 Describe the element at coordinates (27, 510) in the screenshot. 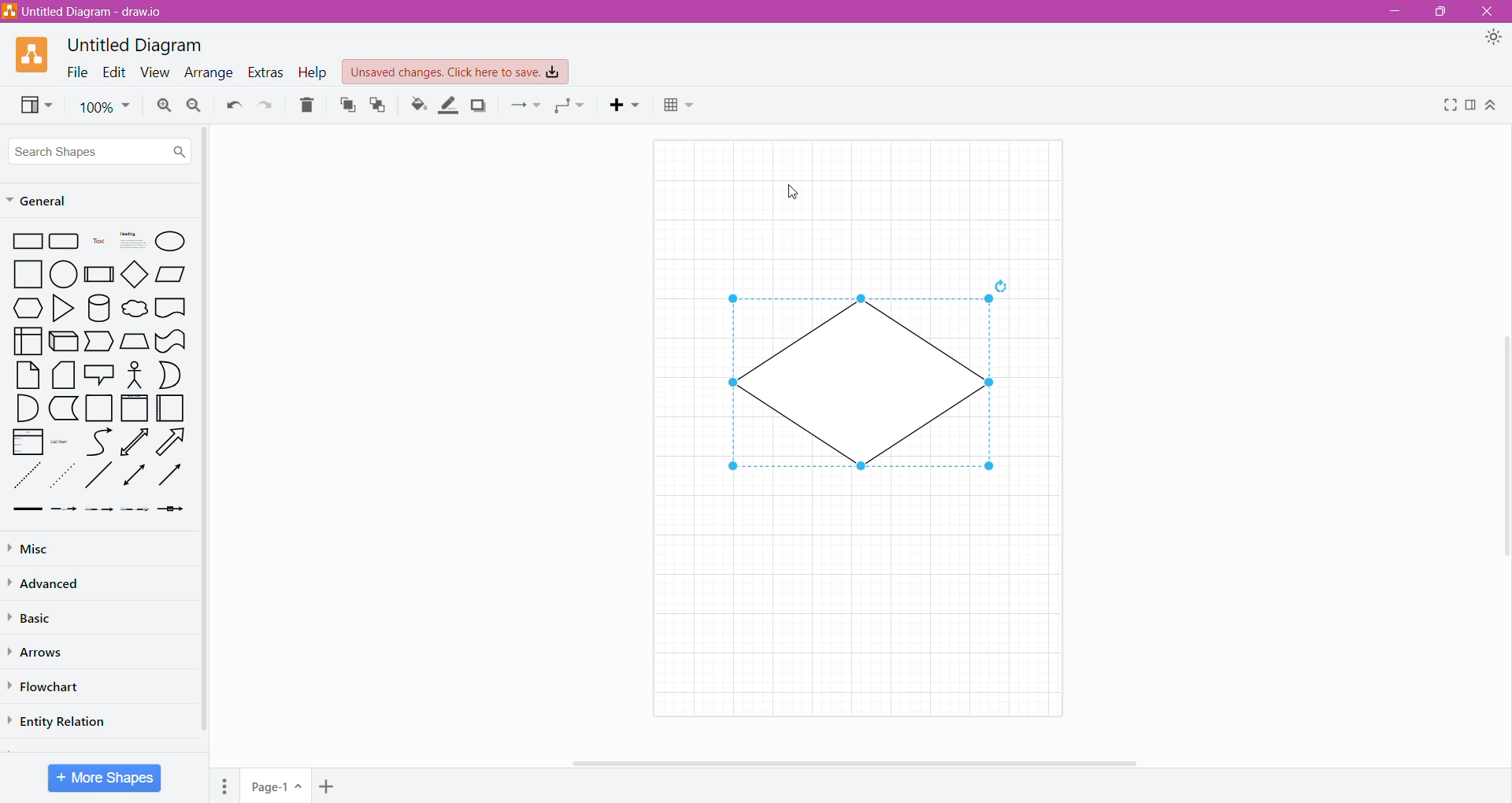

I see `Link` at that location.